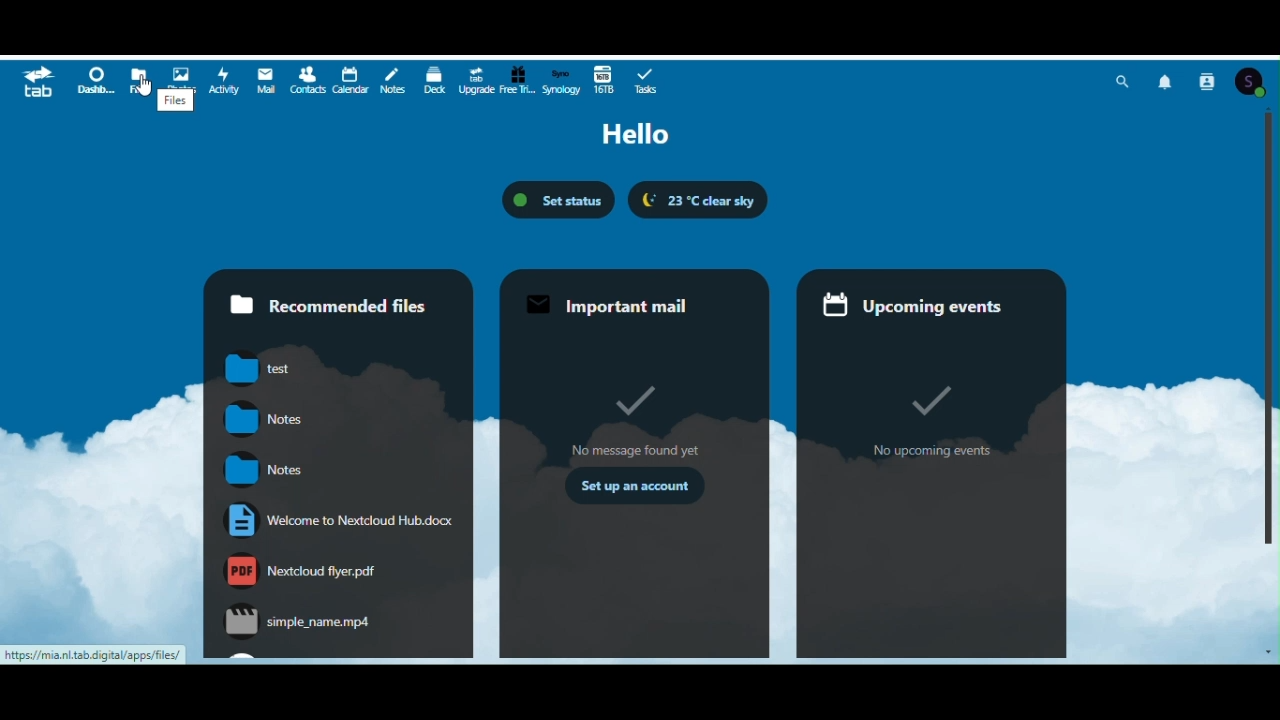  I want to click on Activity, so click(225, 78).